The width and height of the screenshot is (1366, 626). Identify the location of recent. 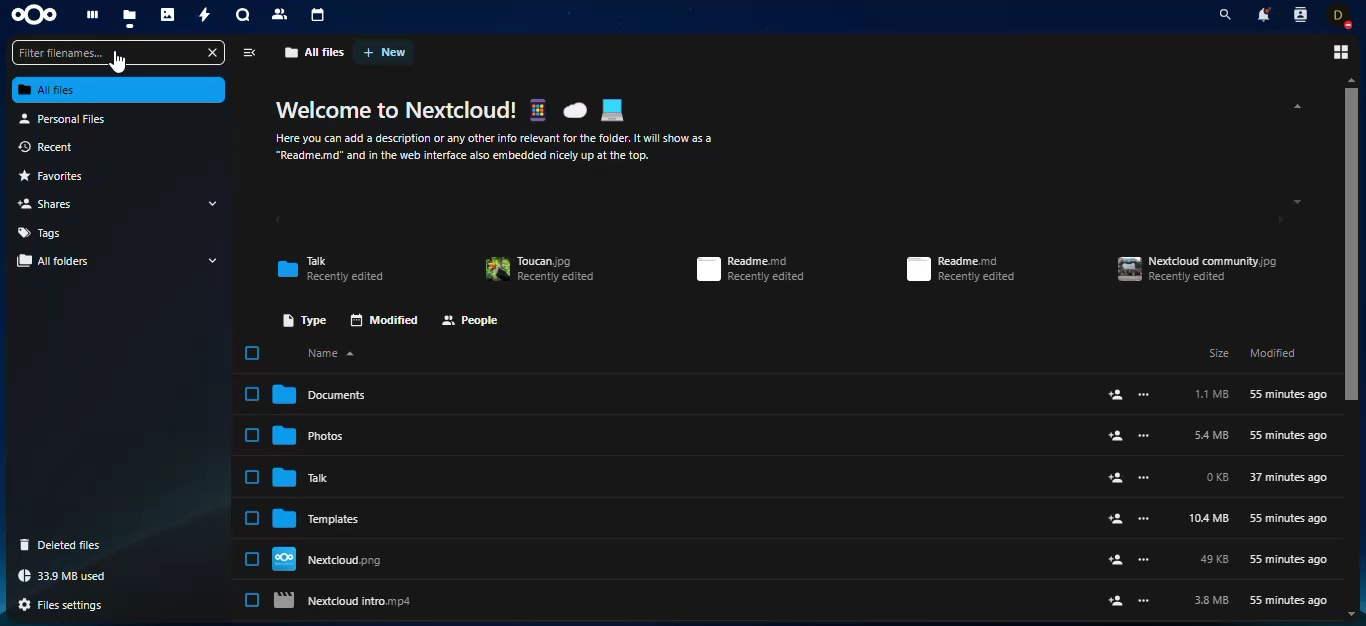
(59, 148).